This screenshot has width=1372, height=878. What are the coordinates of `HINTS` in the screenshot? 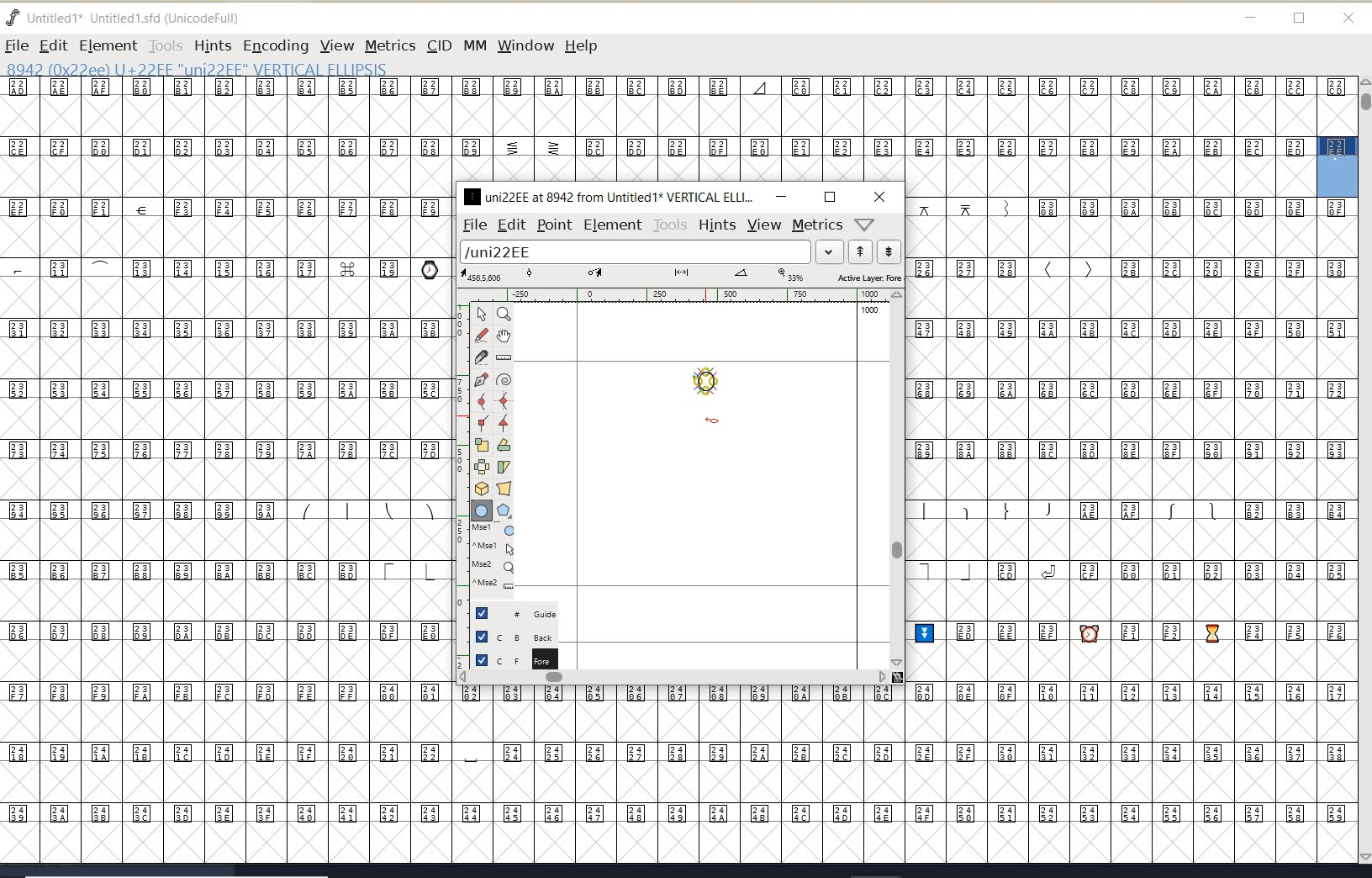 It's located at (212, 46).